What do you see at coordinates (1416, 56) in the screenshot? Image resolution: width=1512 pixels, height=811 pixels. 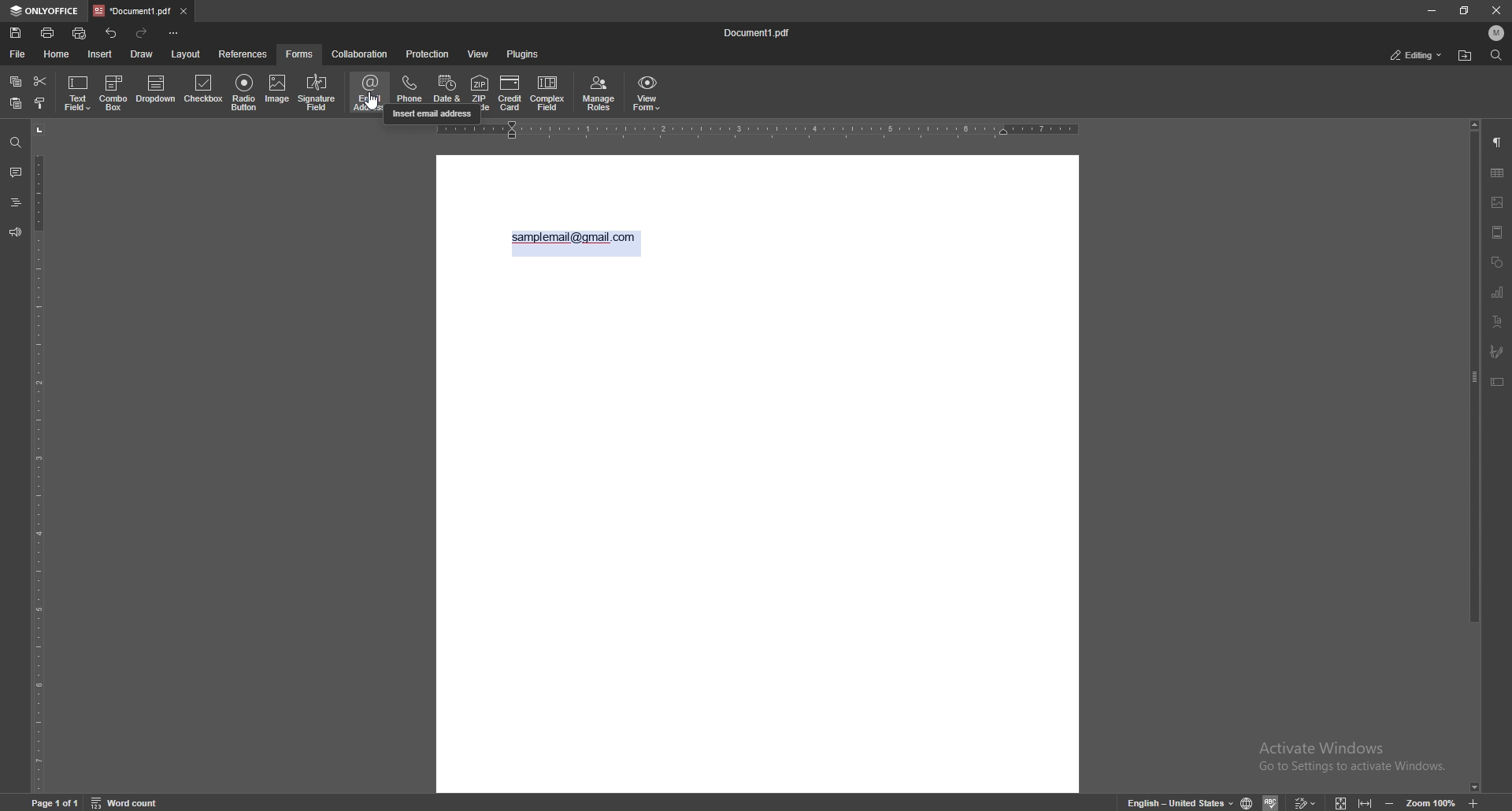 I see `status` at bounding box center [1416, 56].